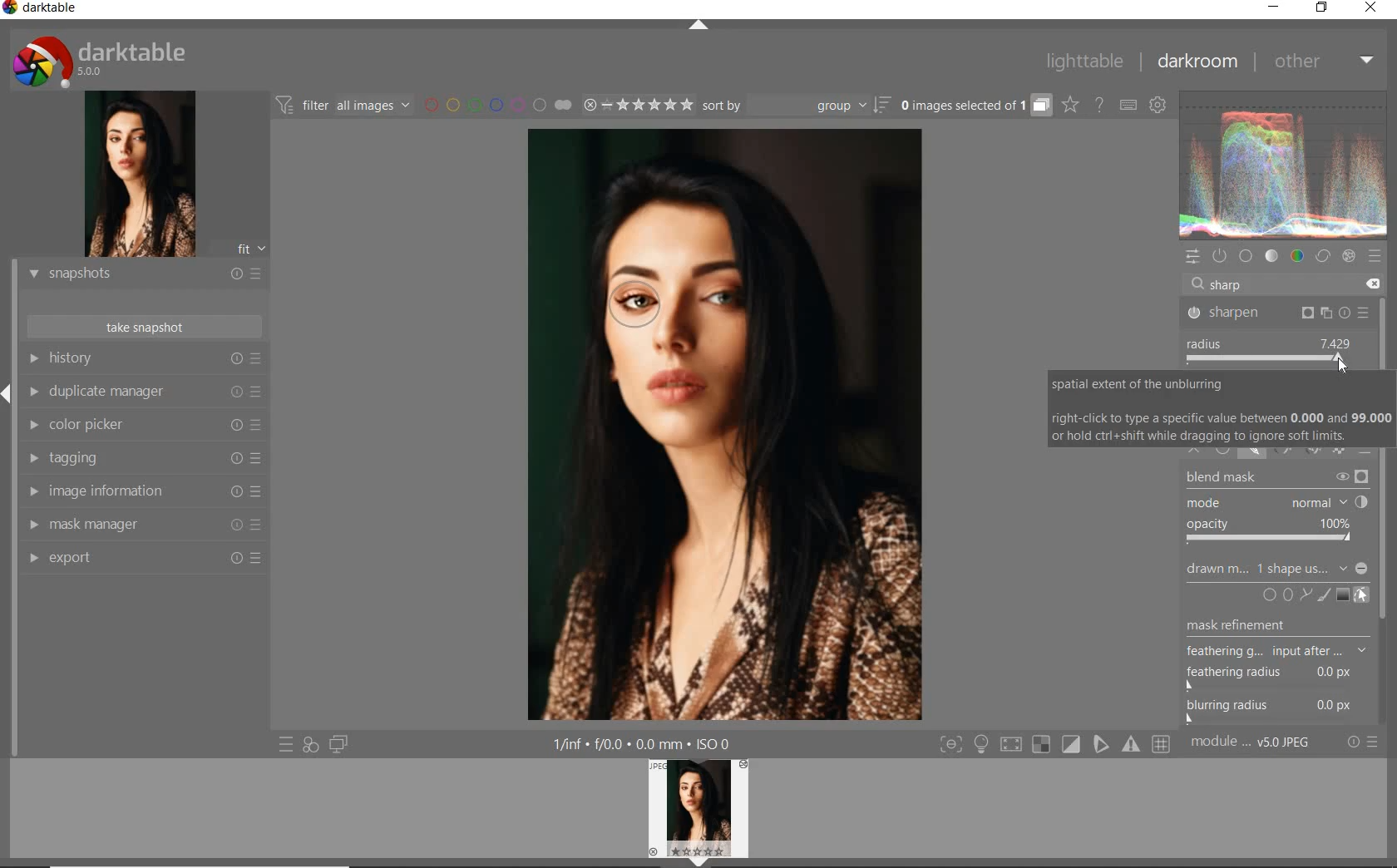 Image resolution: width=1397 pixels, height=868 pixels. Describe the element at coordinates (1323, 257) in the screenshot. I see `correct` at that location.